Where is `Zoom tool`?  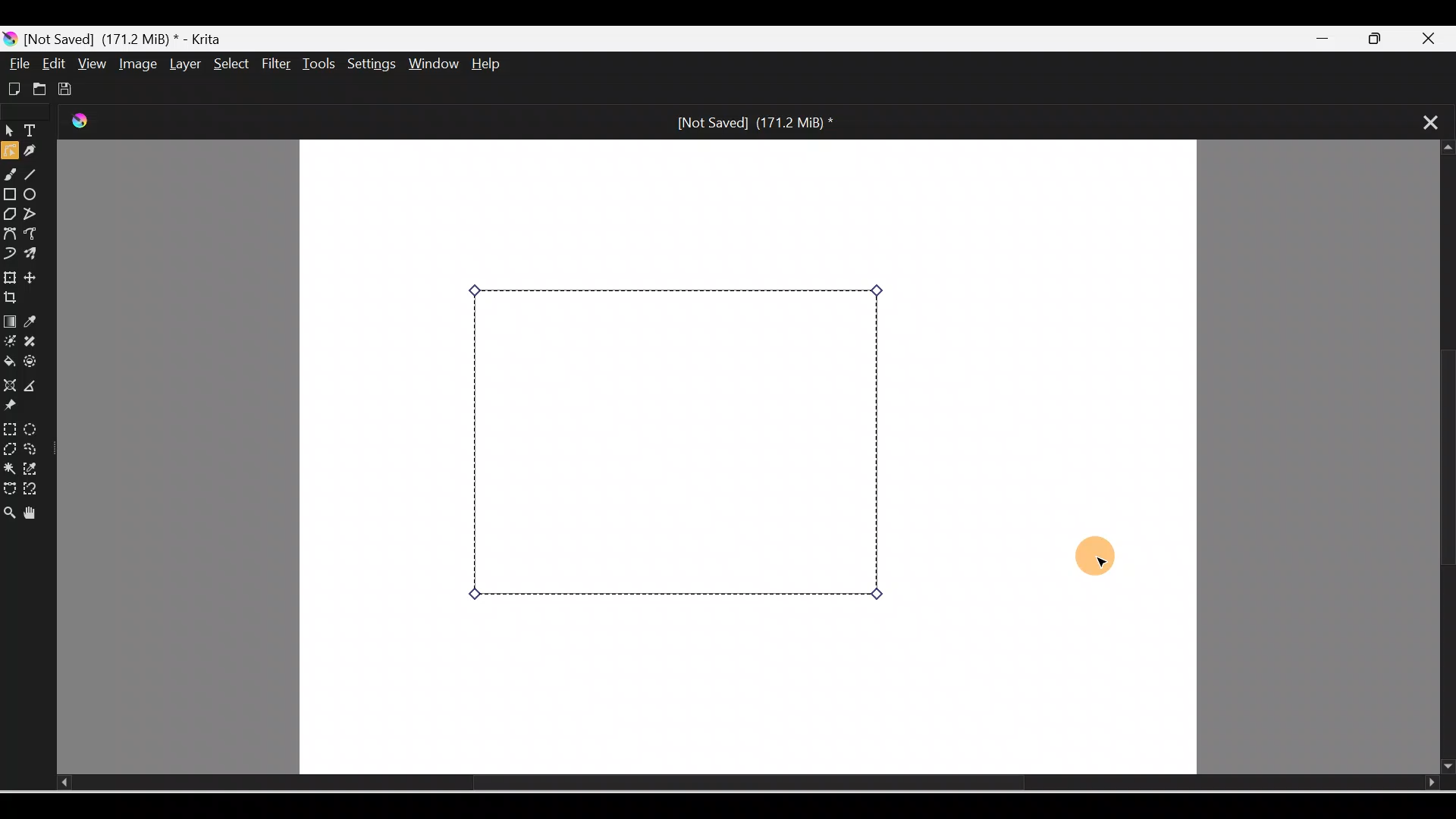 Zoom tool is located at coordinates (9, 508).